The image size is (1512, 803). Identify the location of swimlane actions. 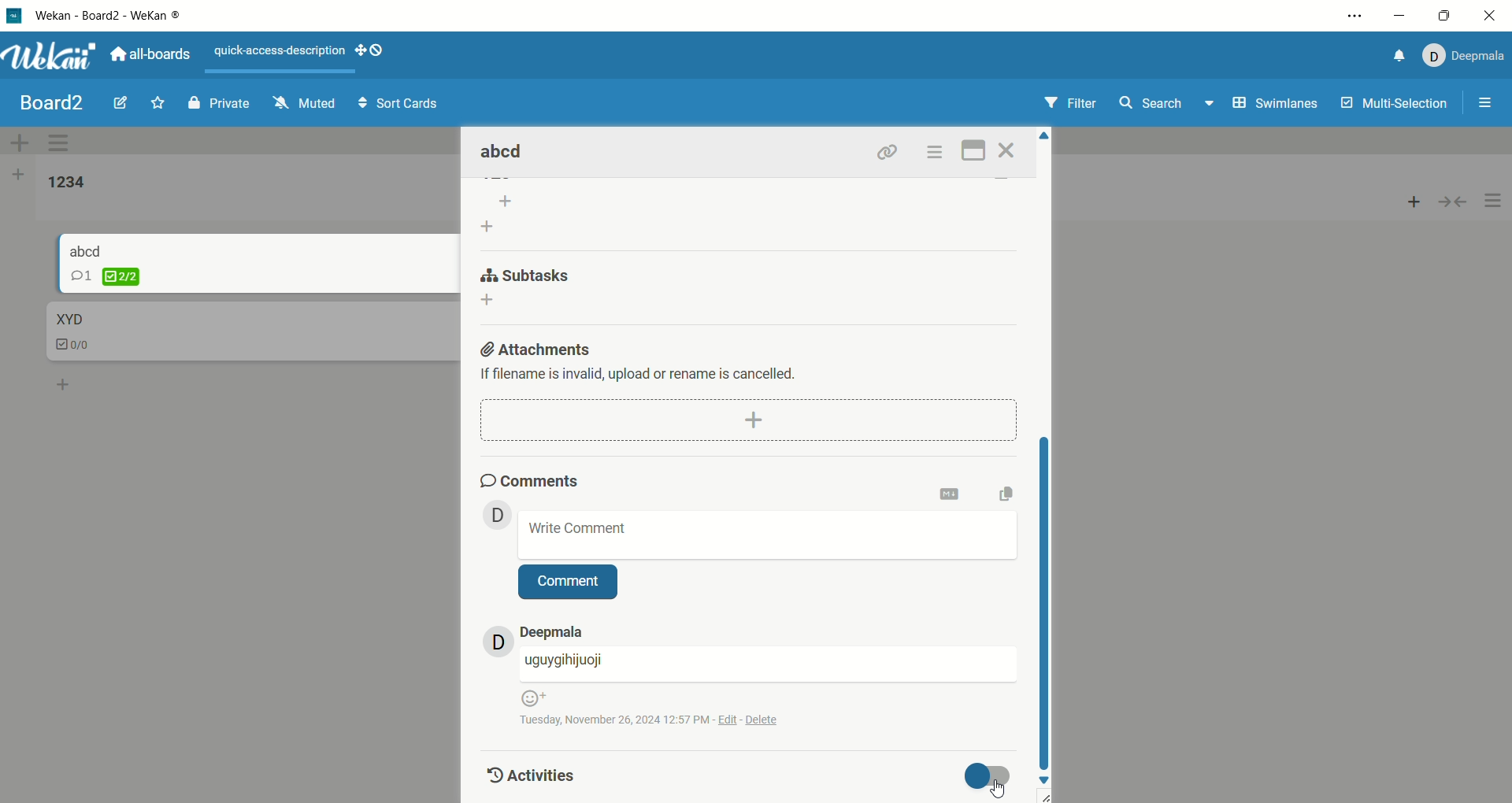
(62, 144).